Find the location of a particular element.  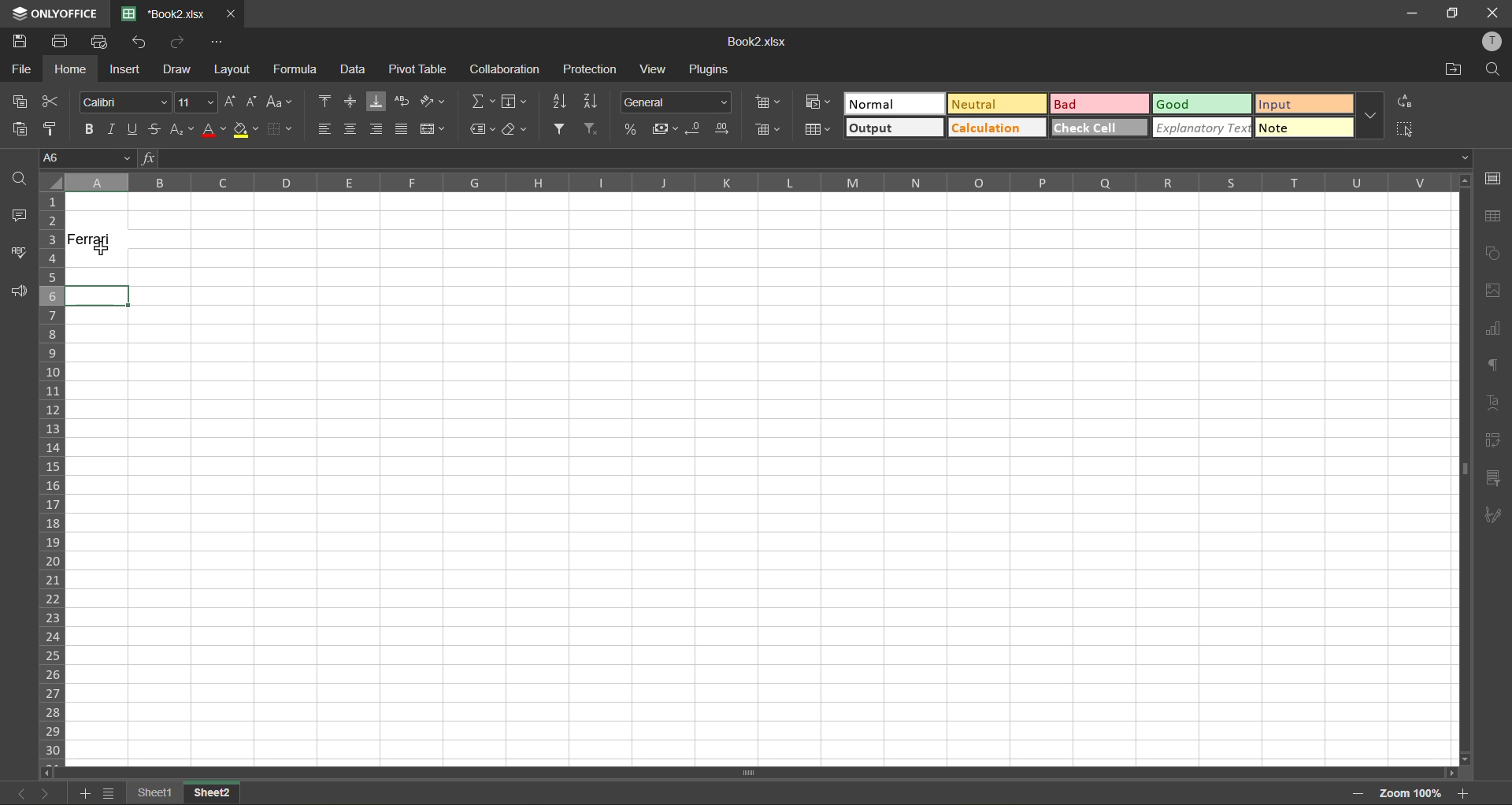

column names is located at coordinates (754, 181).